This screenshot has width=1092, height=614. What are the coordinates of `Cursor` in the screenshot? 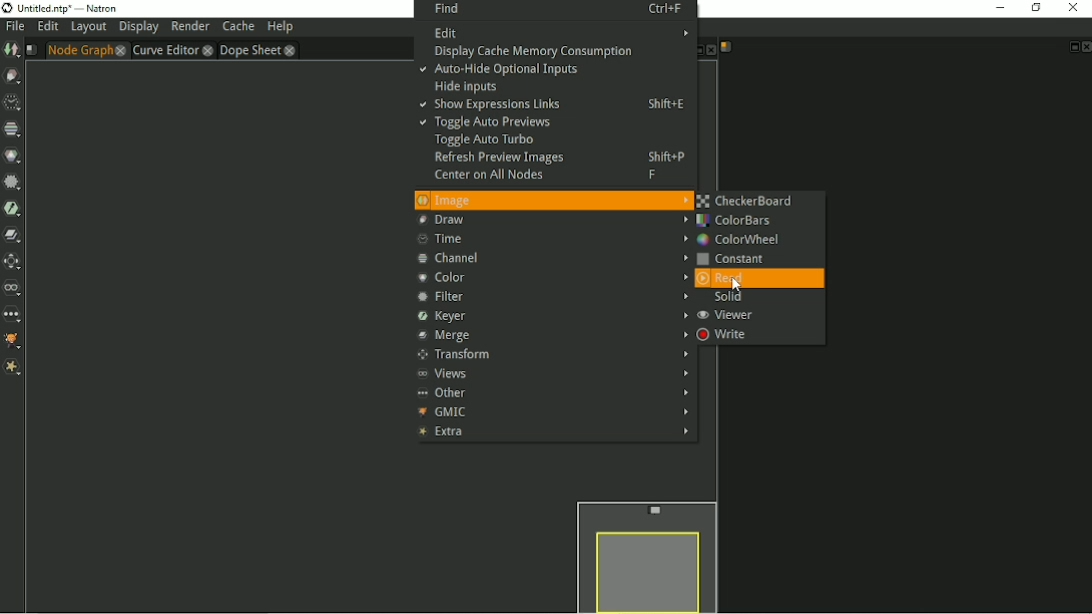 It's located at (739, 285).